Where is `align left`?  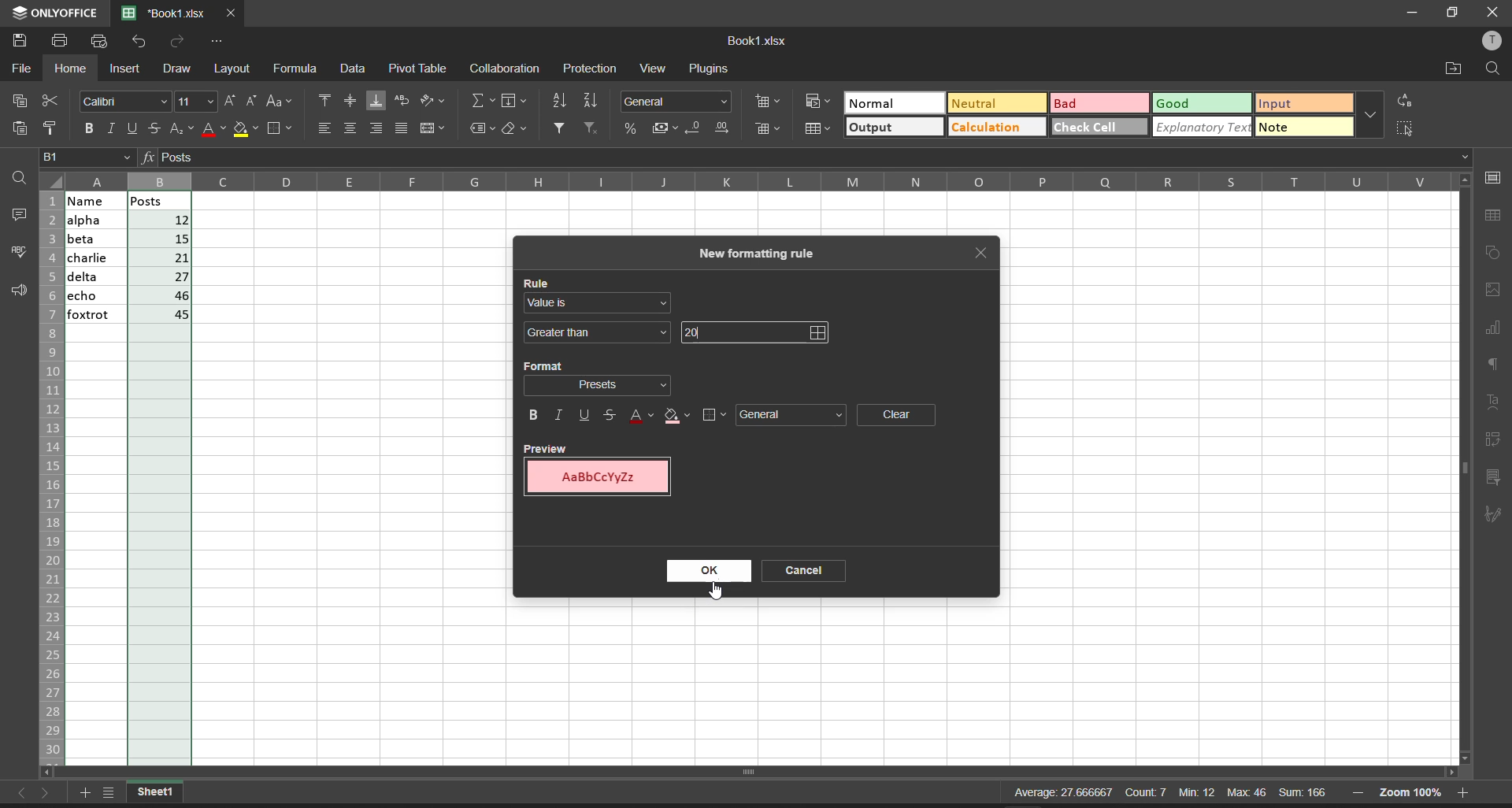 align left is located at coordinates (322, 127).